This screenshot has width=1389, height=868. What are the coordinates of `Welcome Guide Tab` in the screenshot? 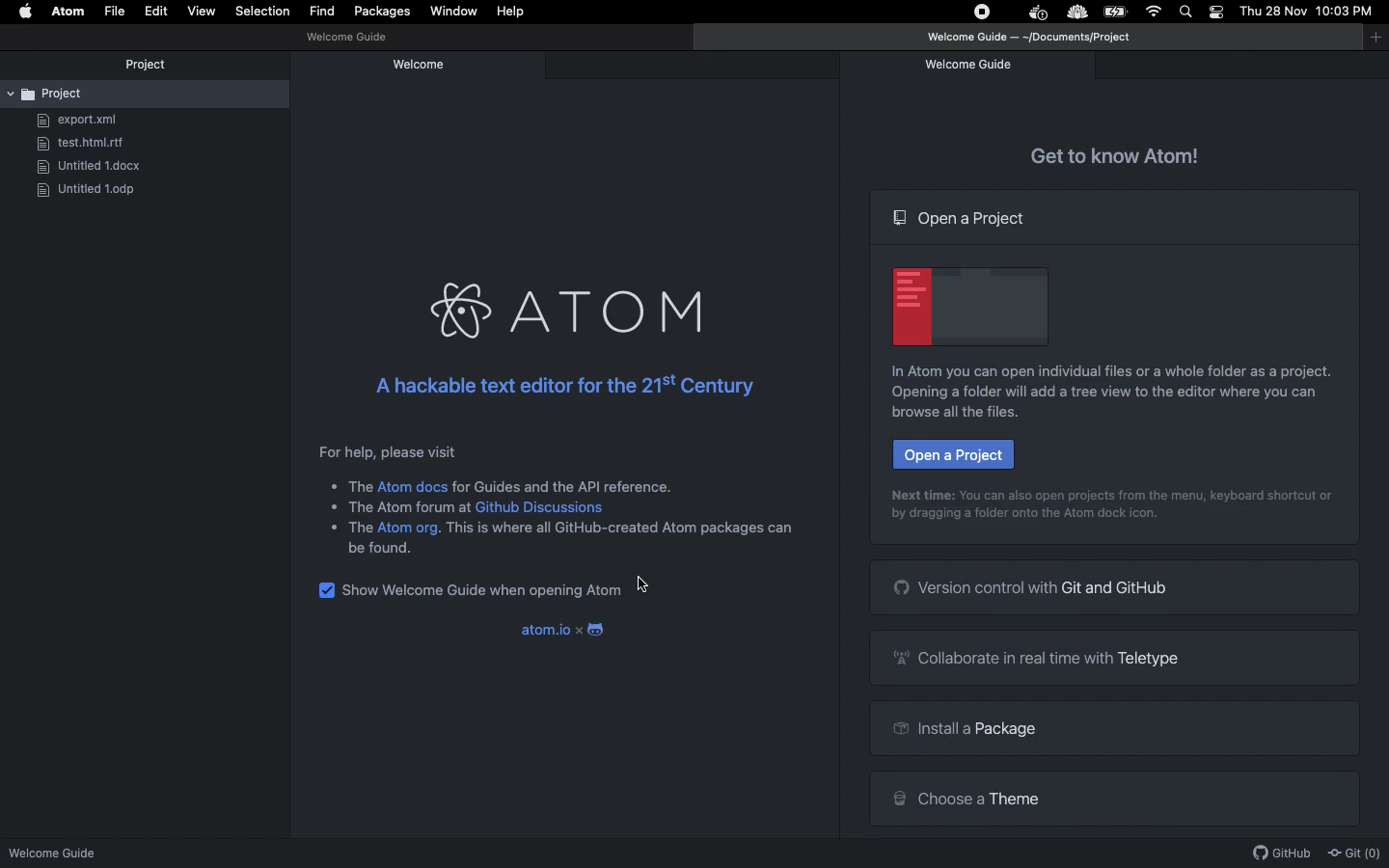 It's located at (972, 66).